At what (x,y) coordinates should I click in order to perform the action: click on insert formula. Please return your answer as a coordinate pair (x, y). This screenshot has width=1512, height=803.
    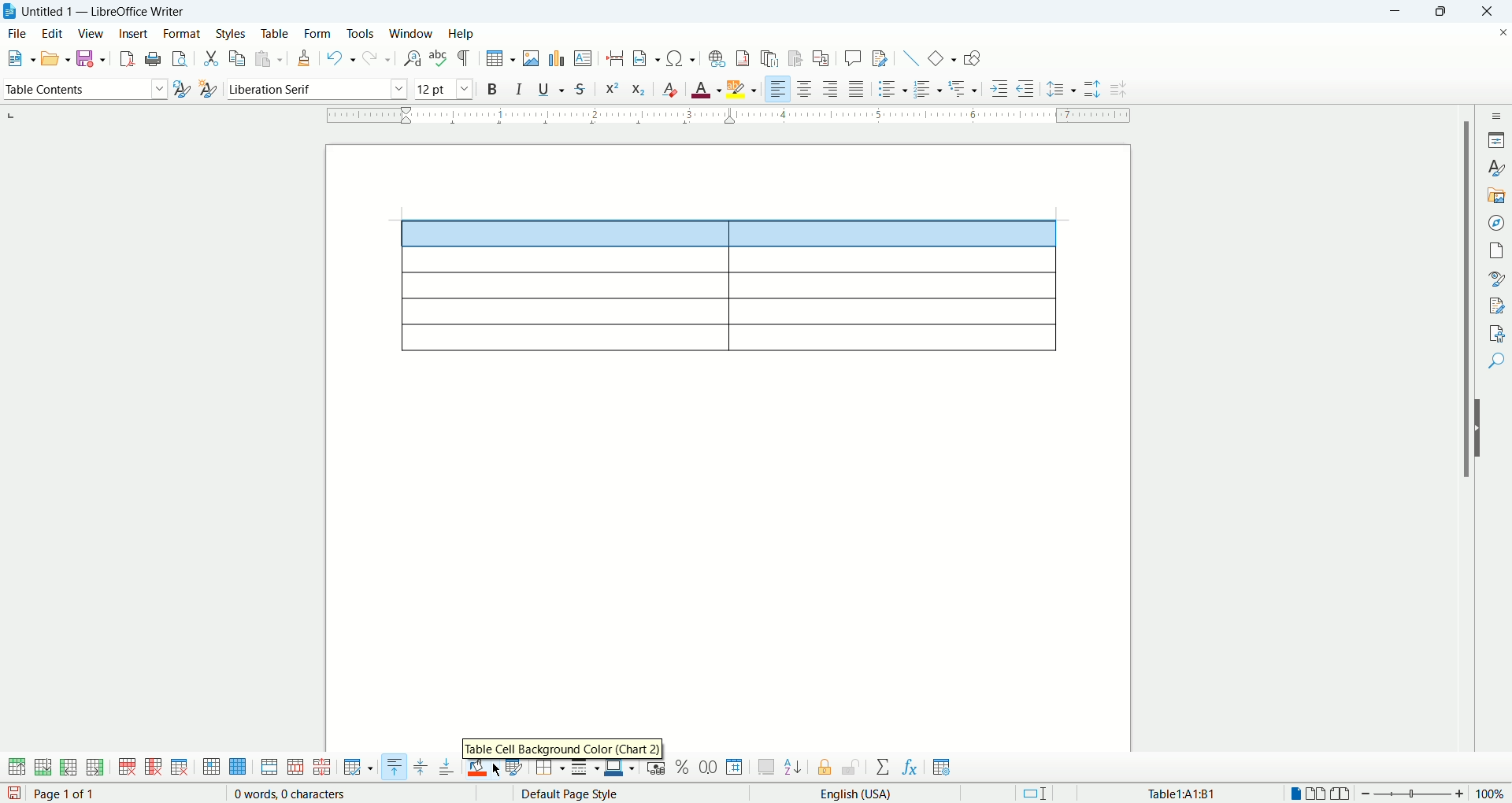
    Looking at the image, I should click on (911, 768).